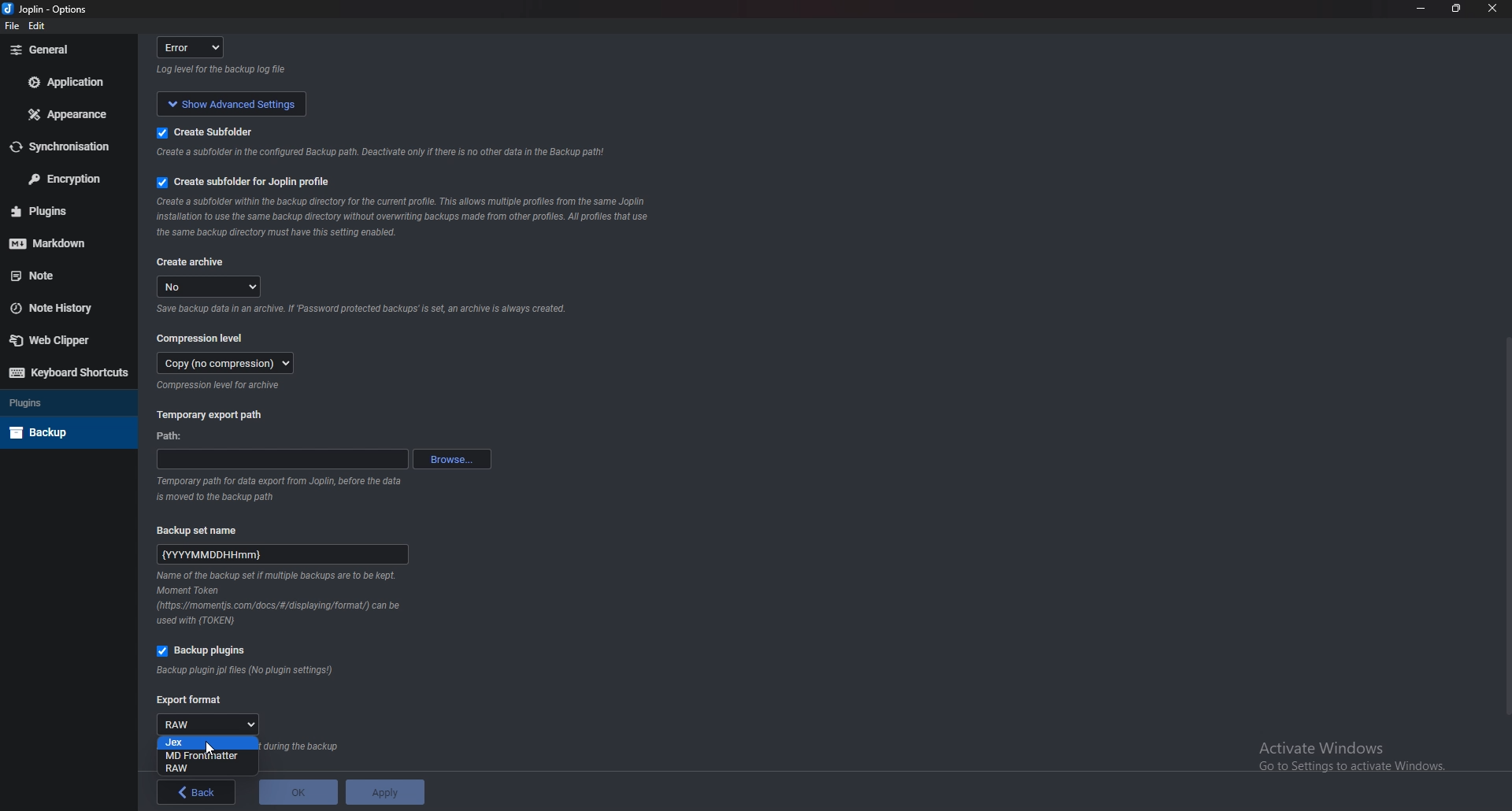  Describe the element at coordinates (61, 308) in the screenshot. I see `Note history` at that location.